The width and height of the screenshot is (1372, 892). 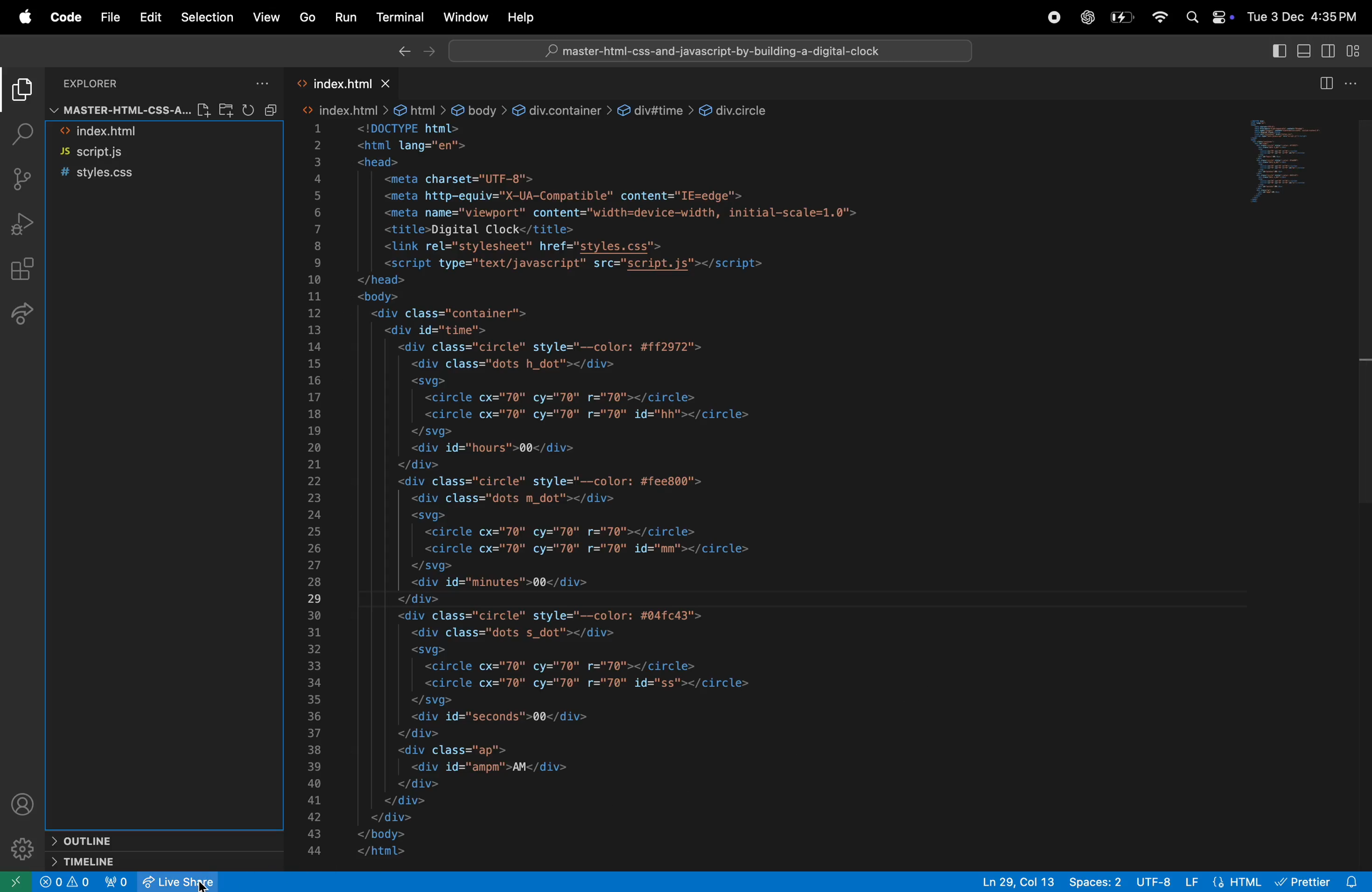 What do you see at coordinates (1084, 17) in the screenshot?
I see `chatgpt` at bounding box center [1084, 17].